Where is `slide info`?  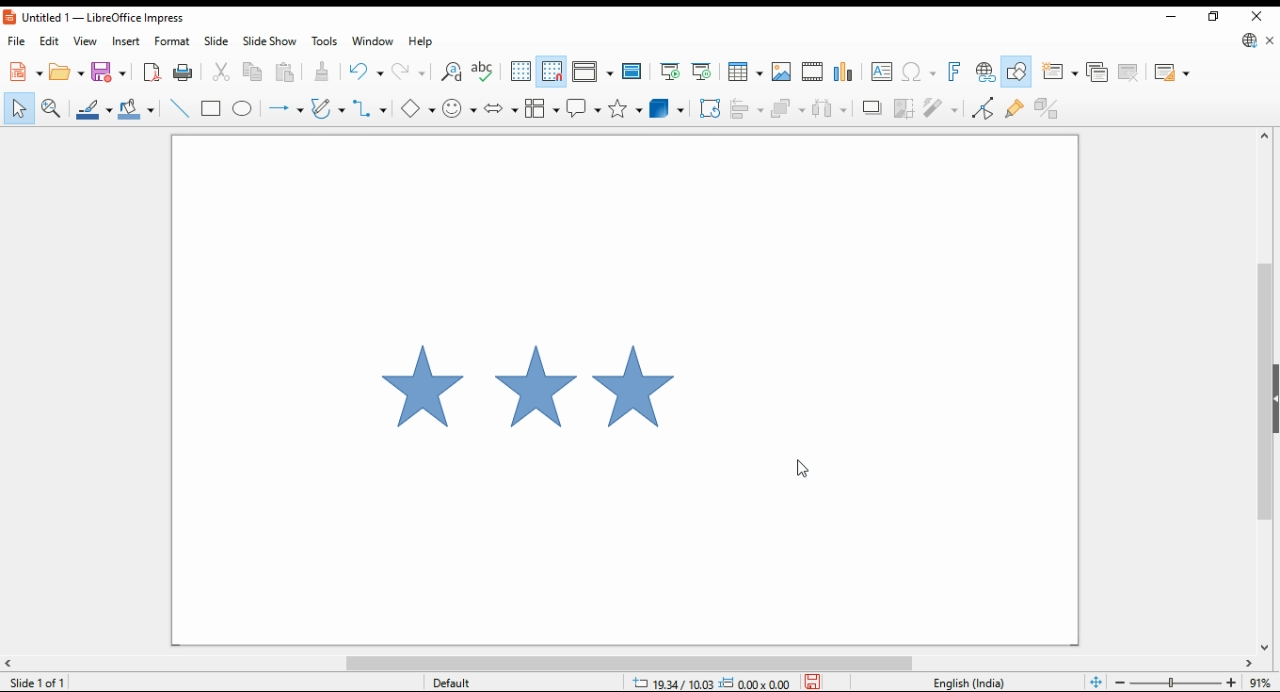 slide info is located at coordinates (40, 680).